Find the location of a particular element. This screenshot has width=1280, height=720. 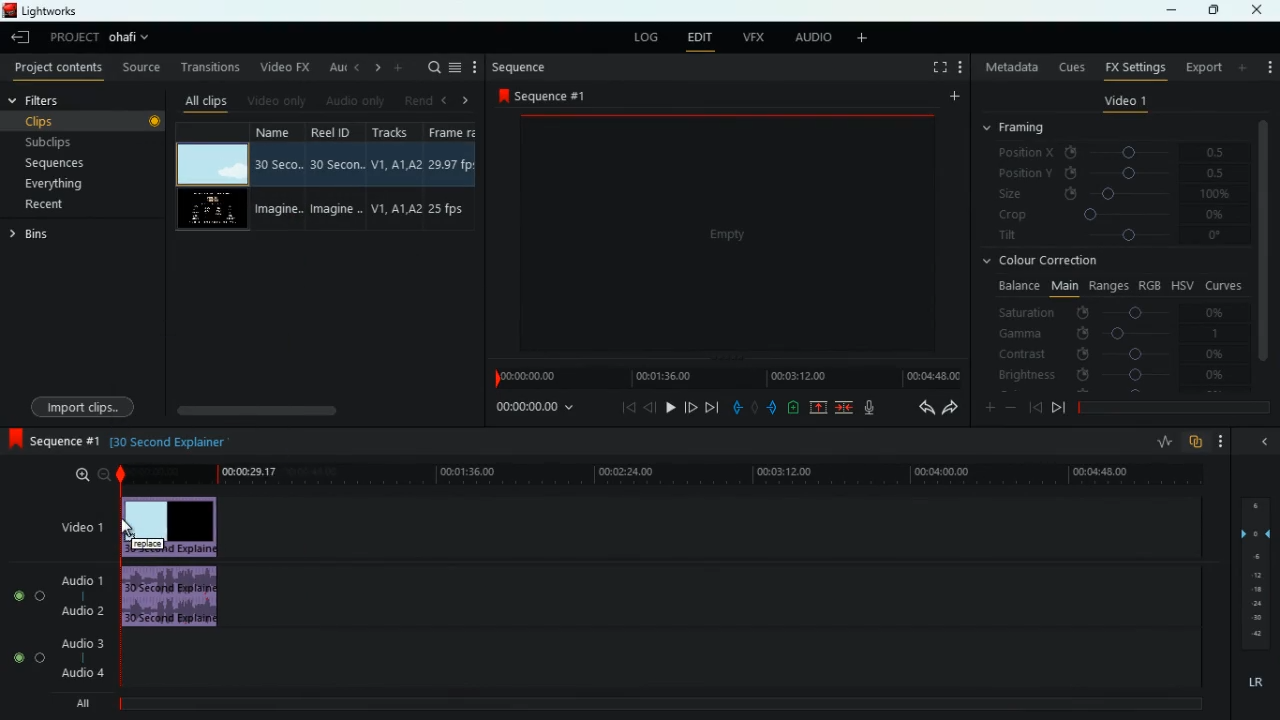

back is located at coordinates (919, 408).